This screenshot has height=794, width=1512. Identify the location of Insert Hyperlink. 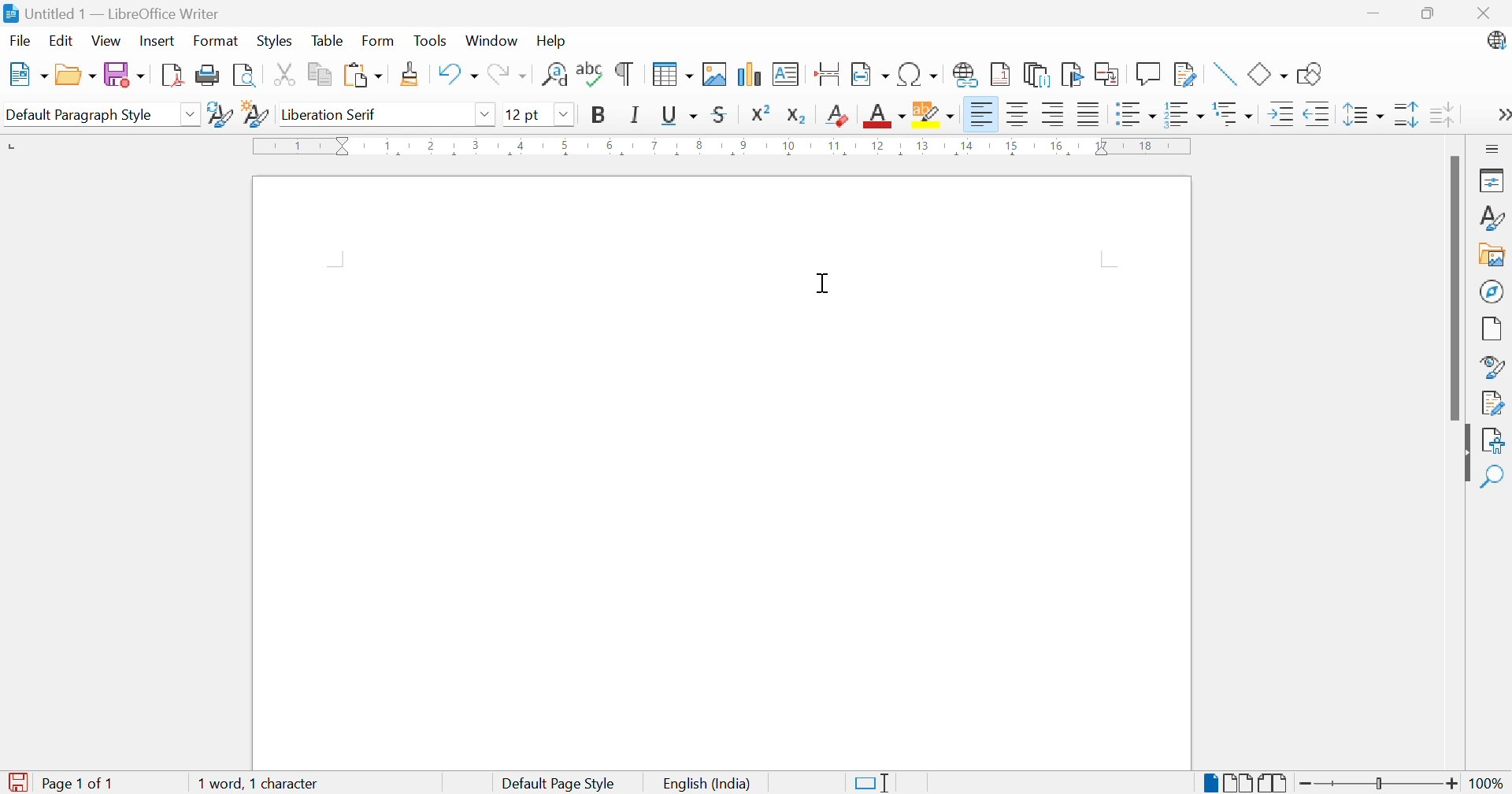
(963, 74).